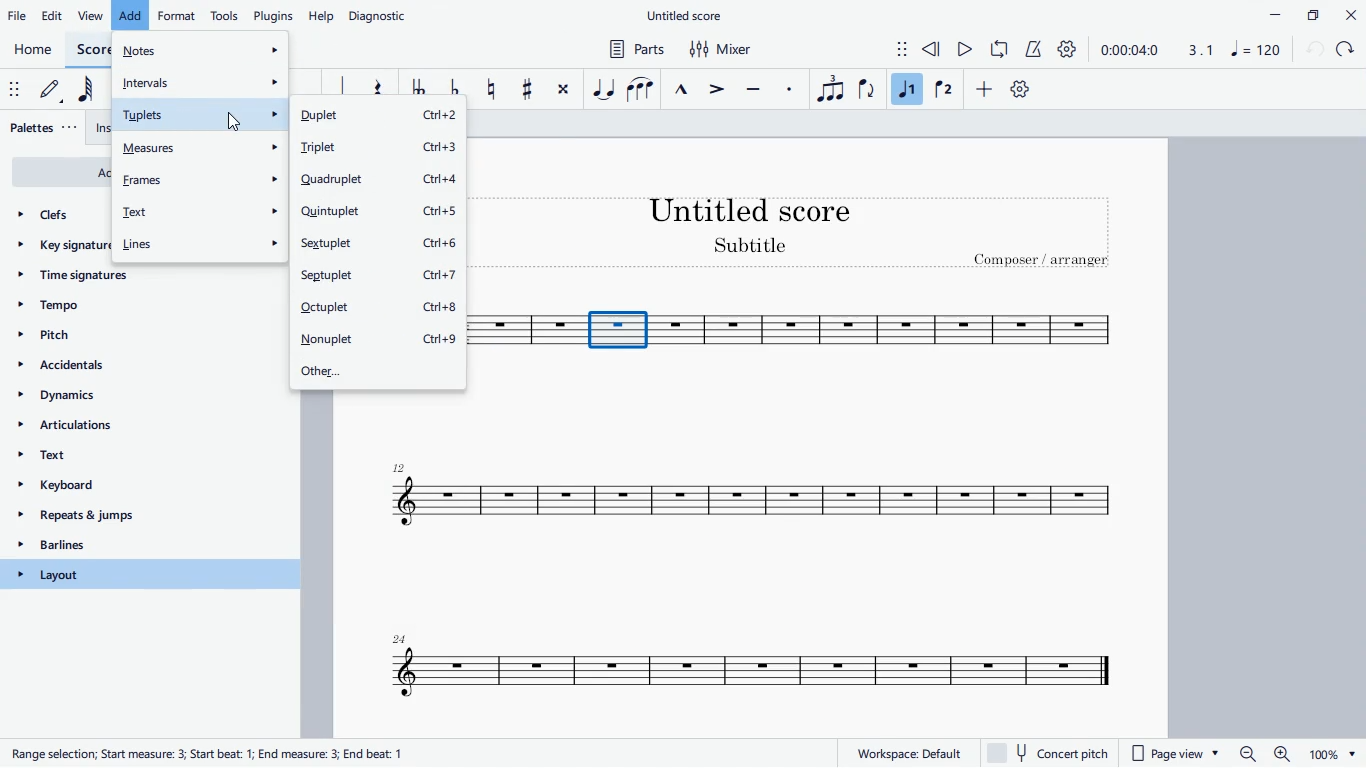 This screenshot has height=768, width=1366. Describe the element at coordinates (528, 91) in the screenshot. I see `toggle sharp` at that location.